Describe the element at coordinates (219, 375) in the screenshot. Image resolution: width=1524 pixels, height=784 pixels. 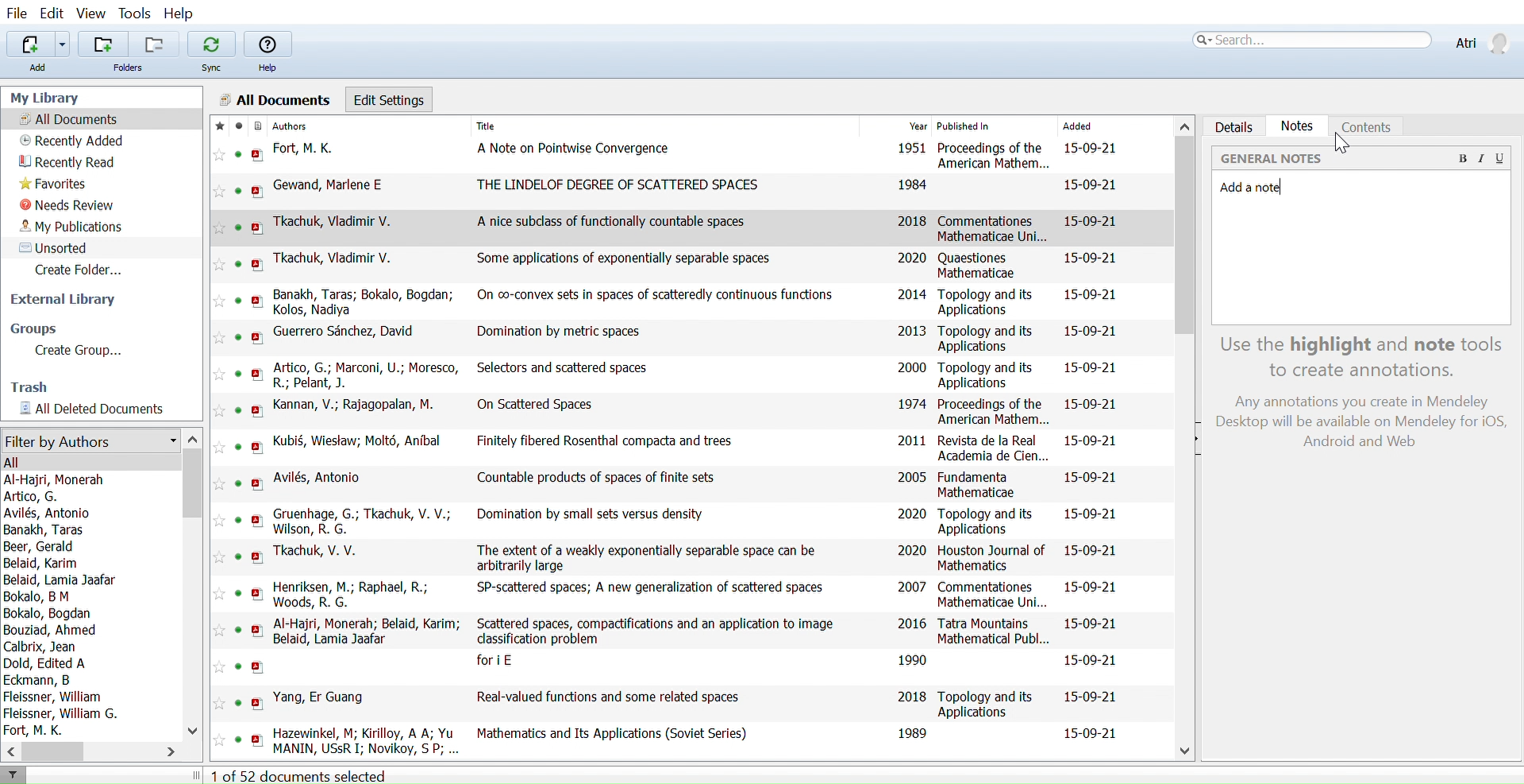
I see `Add this reference to favorites` at that location.